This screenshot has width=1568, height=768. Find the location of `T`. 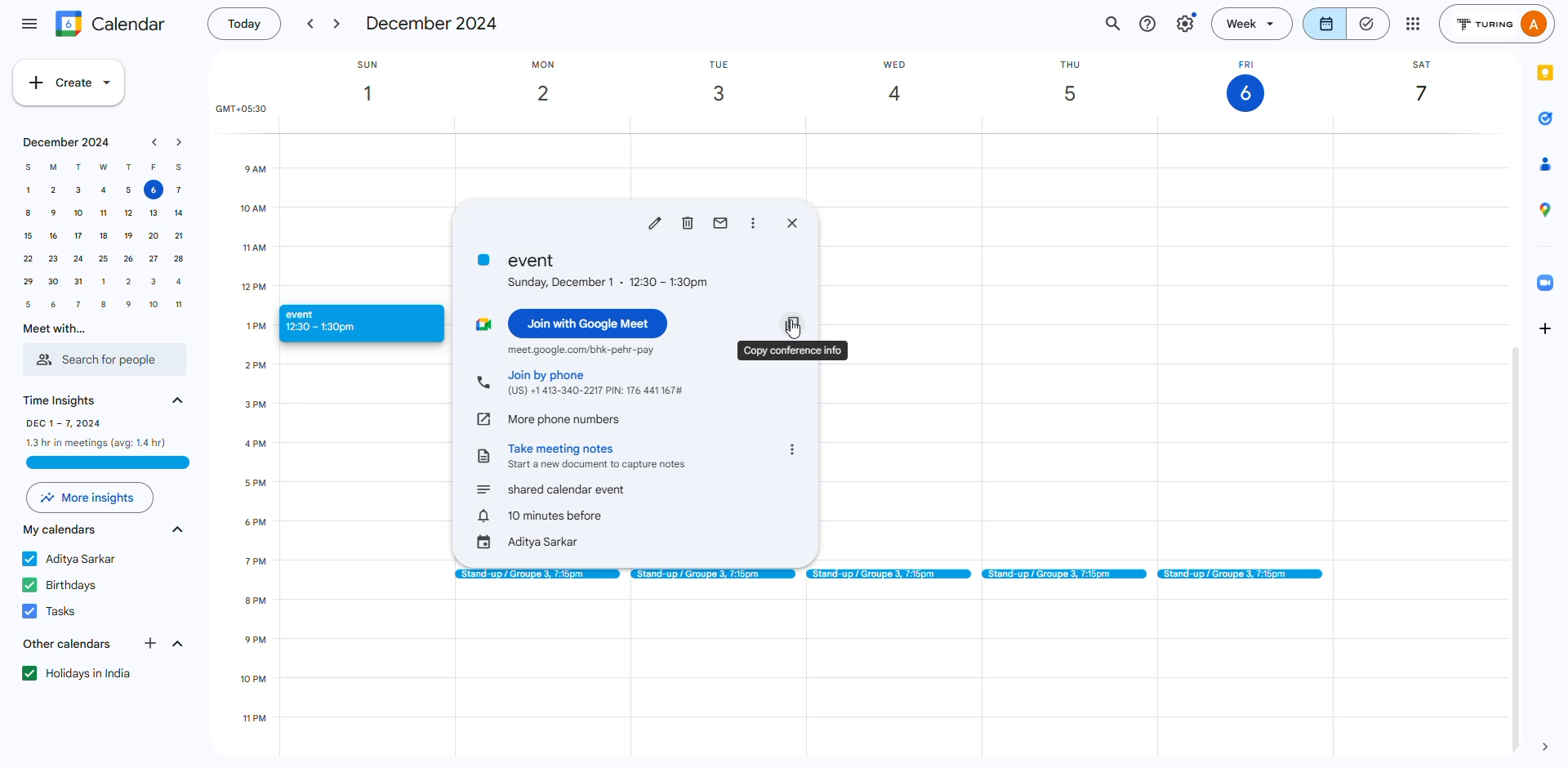

T is located at coordinates (130, 167).